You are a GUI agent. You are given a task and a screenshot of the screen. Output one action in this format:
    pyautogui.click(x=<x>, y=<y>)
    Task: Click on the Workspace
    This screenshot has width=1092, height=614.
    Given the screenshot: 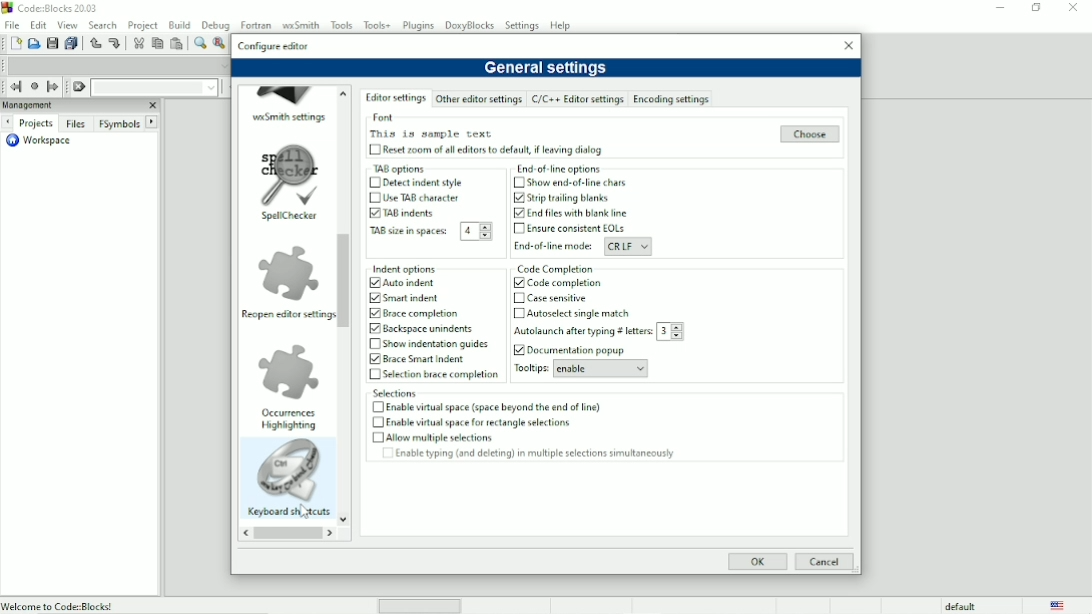 What is the action you would take?
    pyautogui.click(x=43, y=142)
    